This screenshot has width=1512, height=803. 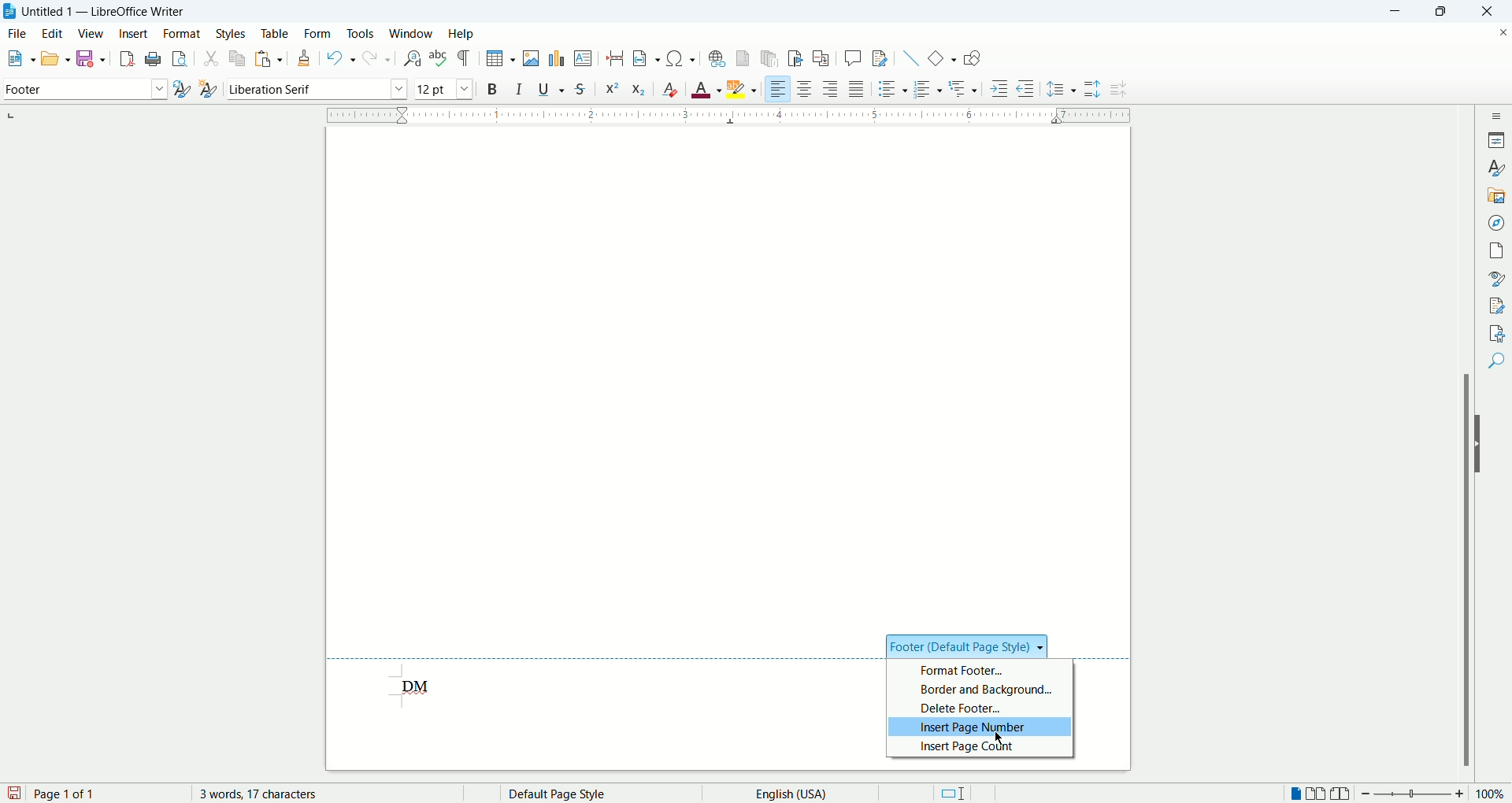 What do you see at coordinates (520, 88) in the screenshot?
I see `italic` at bounding box center [520, 88].